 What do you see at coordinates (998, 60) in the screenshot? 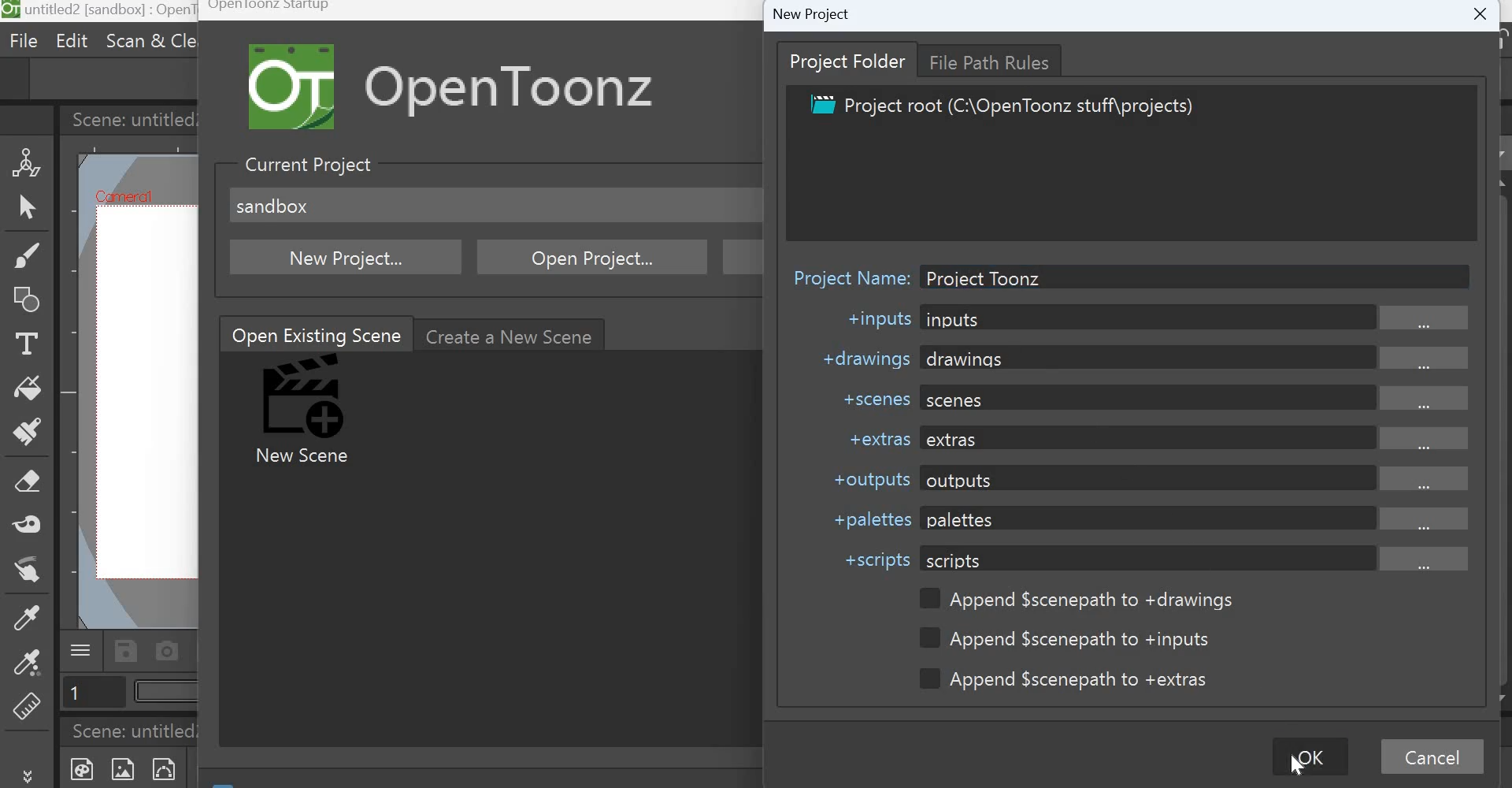
I see `File Path Rules` at bounding box center [998, 60].